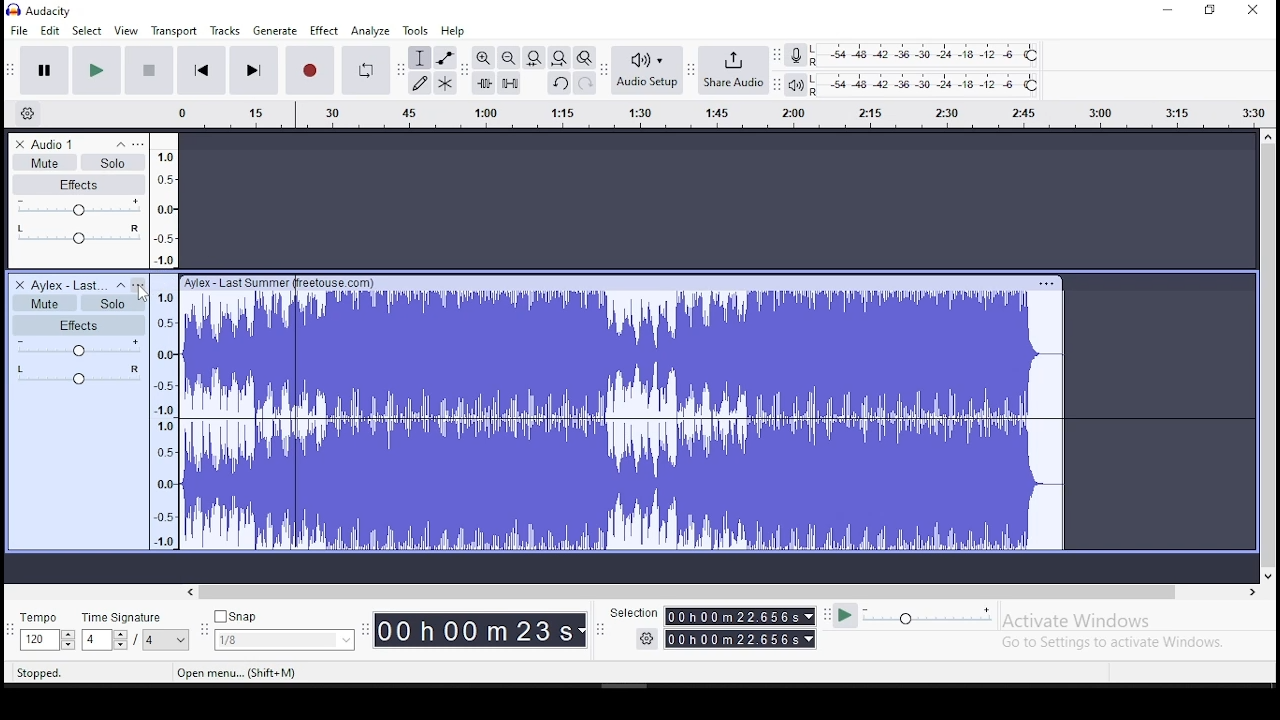  Describe the element at coordinates (795, 84) in the screenshot. I see `playback meter` at that location.